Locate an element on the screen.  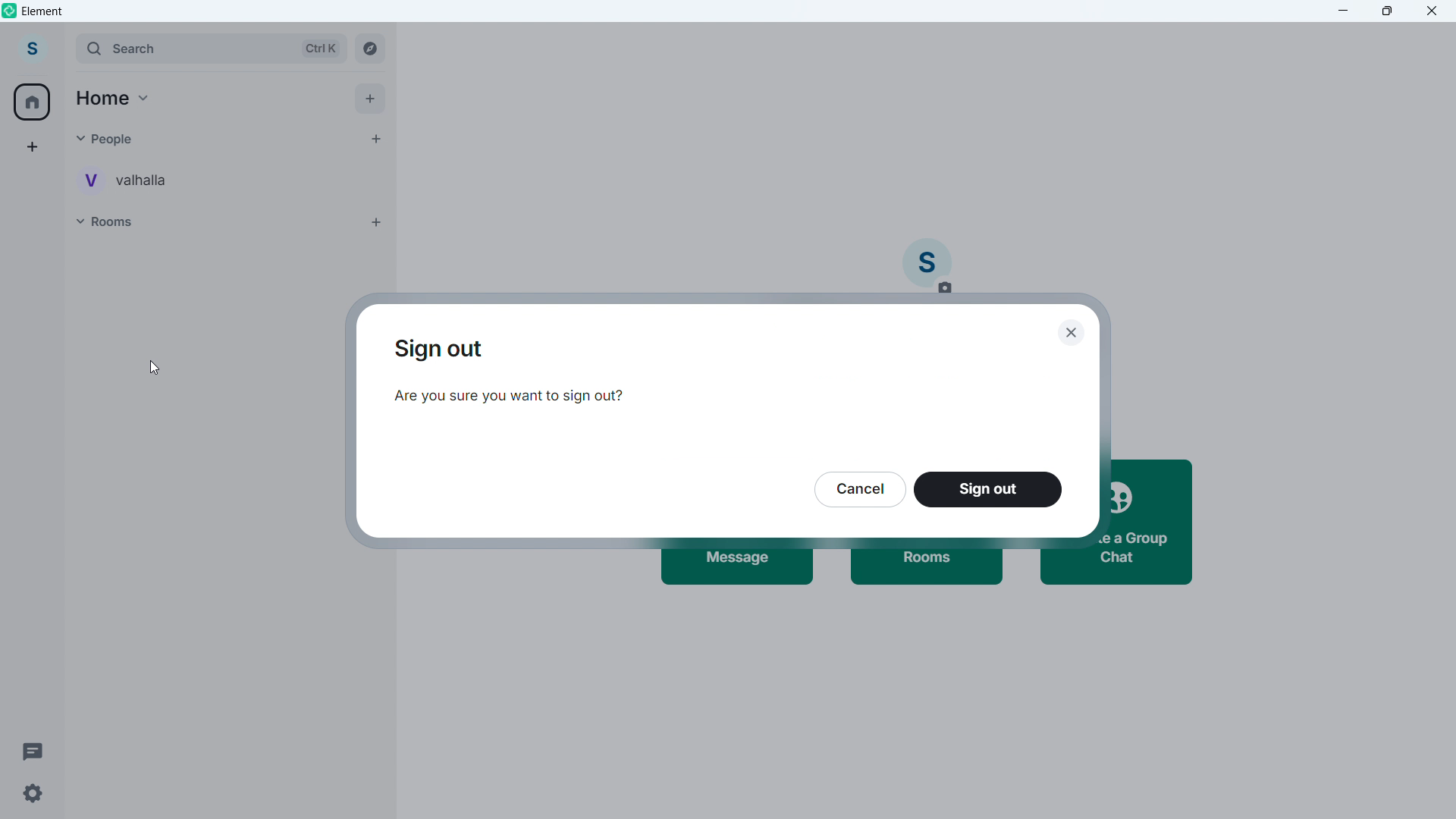
cursor movement is located at coordinates (155, 372).